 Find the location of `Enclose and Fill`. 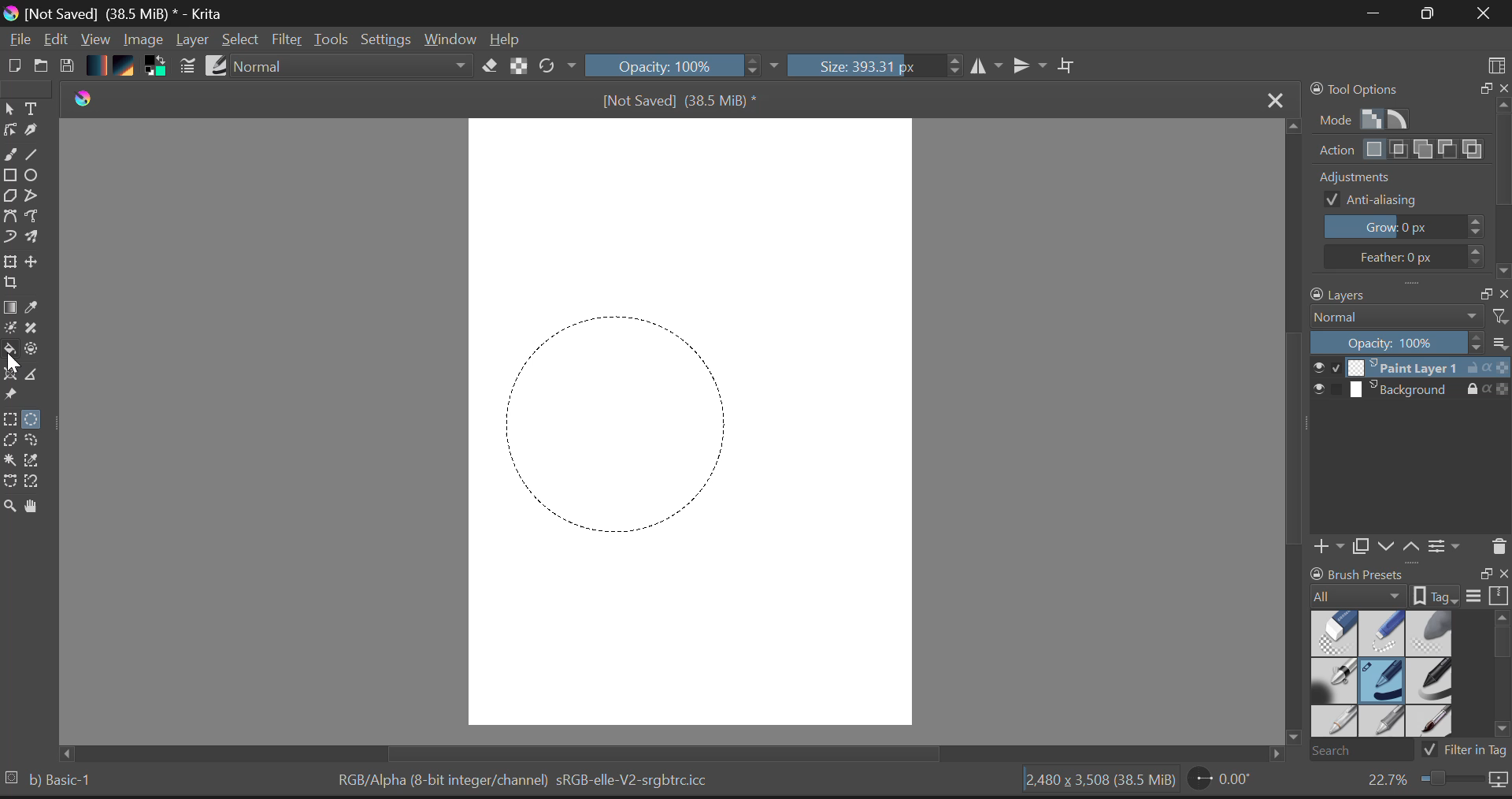

Enclose and Fill is located at coordinates (37, 349).